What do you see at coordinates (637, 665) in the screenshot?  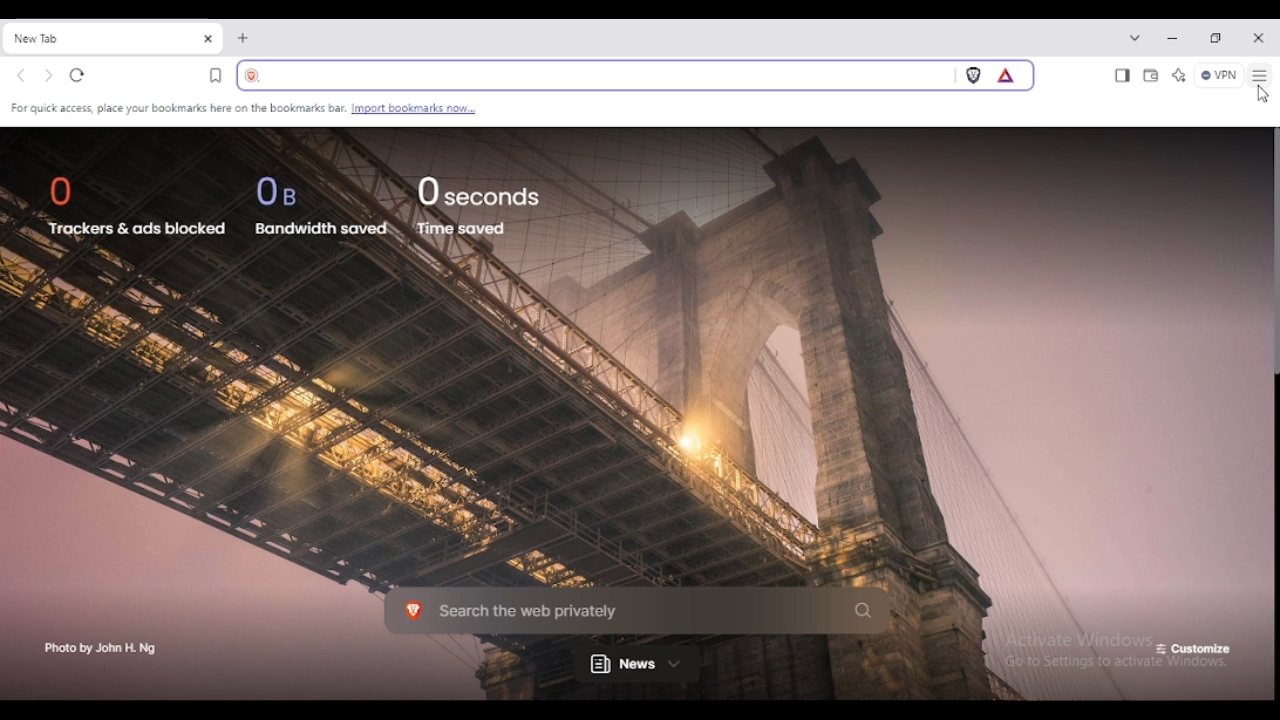 I see `news` at bounding box center [637, 665].